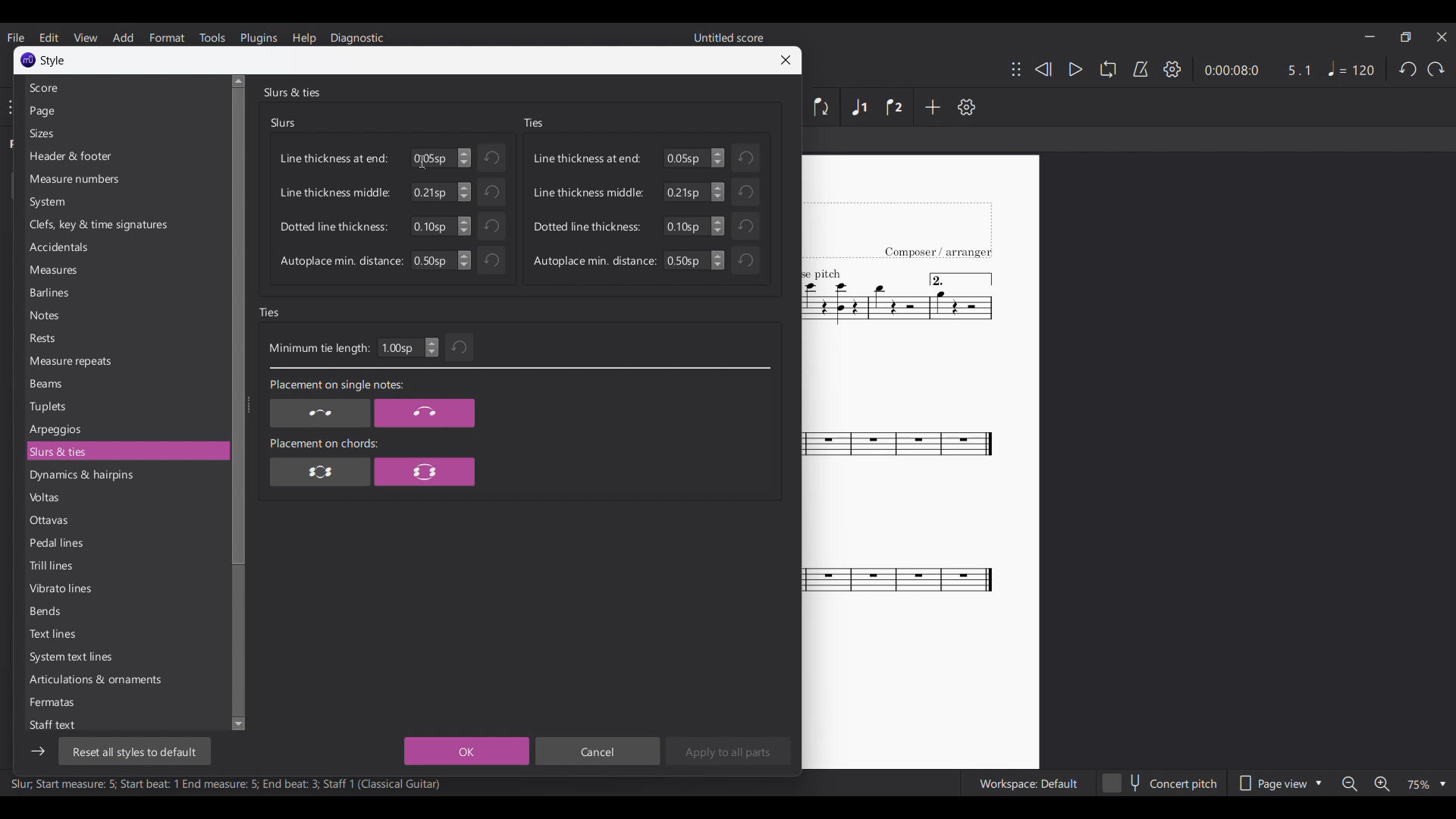 The image size is (1456, 819). What do you see at coordinates (125, 315) in the screenshot?
I see `Notes` at bounding box center [125, 315].